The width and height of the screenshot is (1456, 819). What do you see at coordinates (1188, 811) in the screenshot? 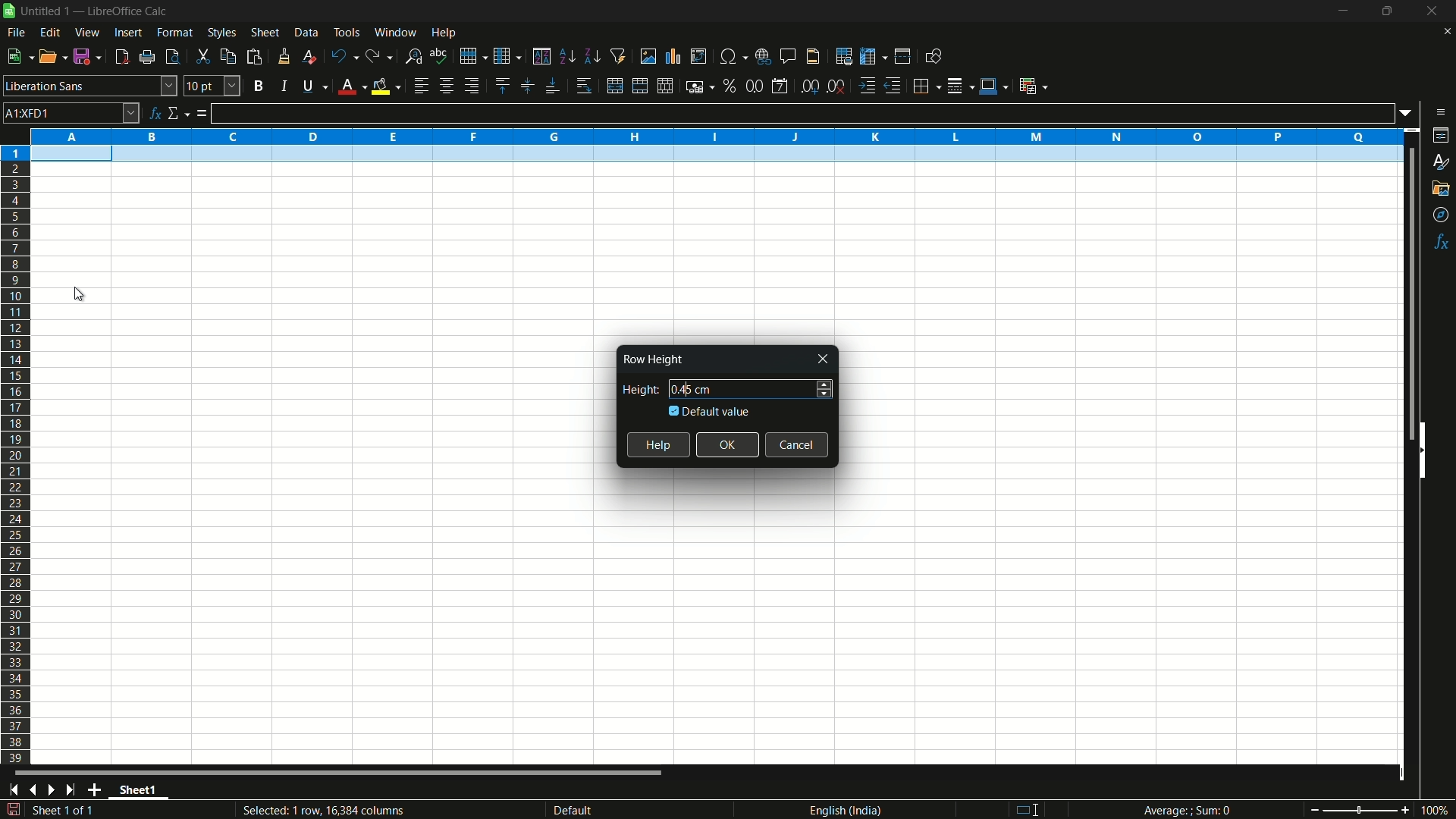
I see `Average; Sum 0` at bounding box center [1188, 811].